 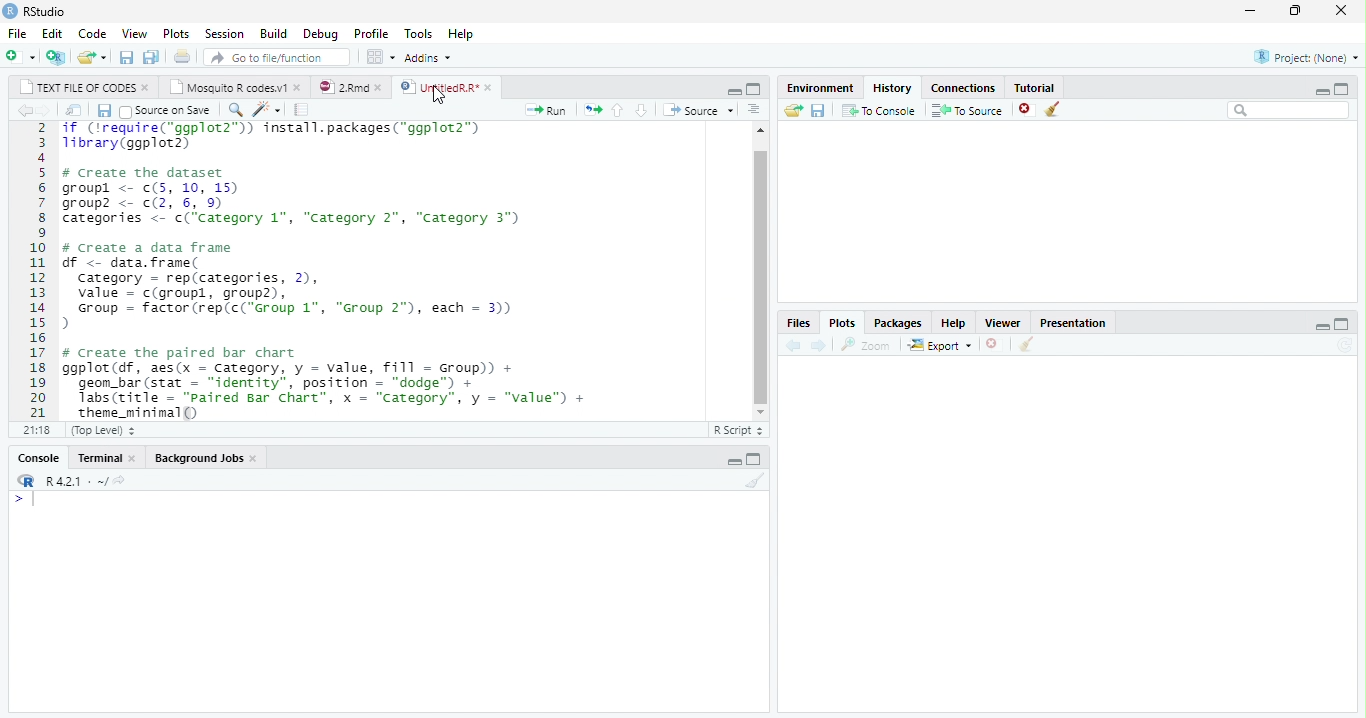 I want to click on new file, so click(x=19, y=56).